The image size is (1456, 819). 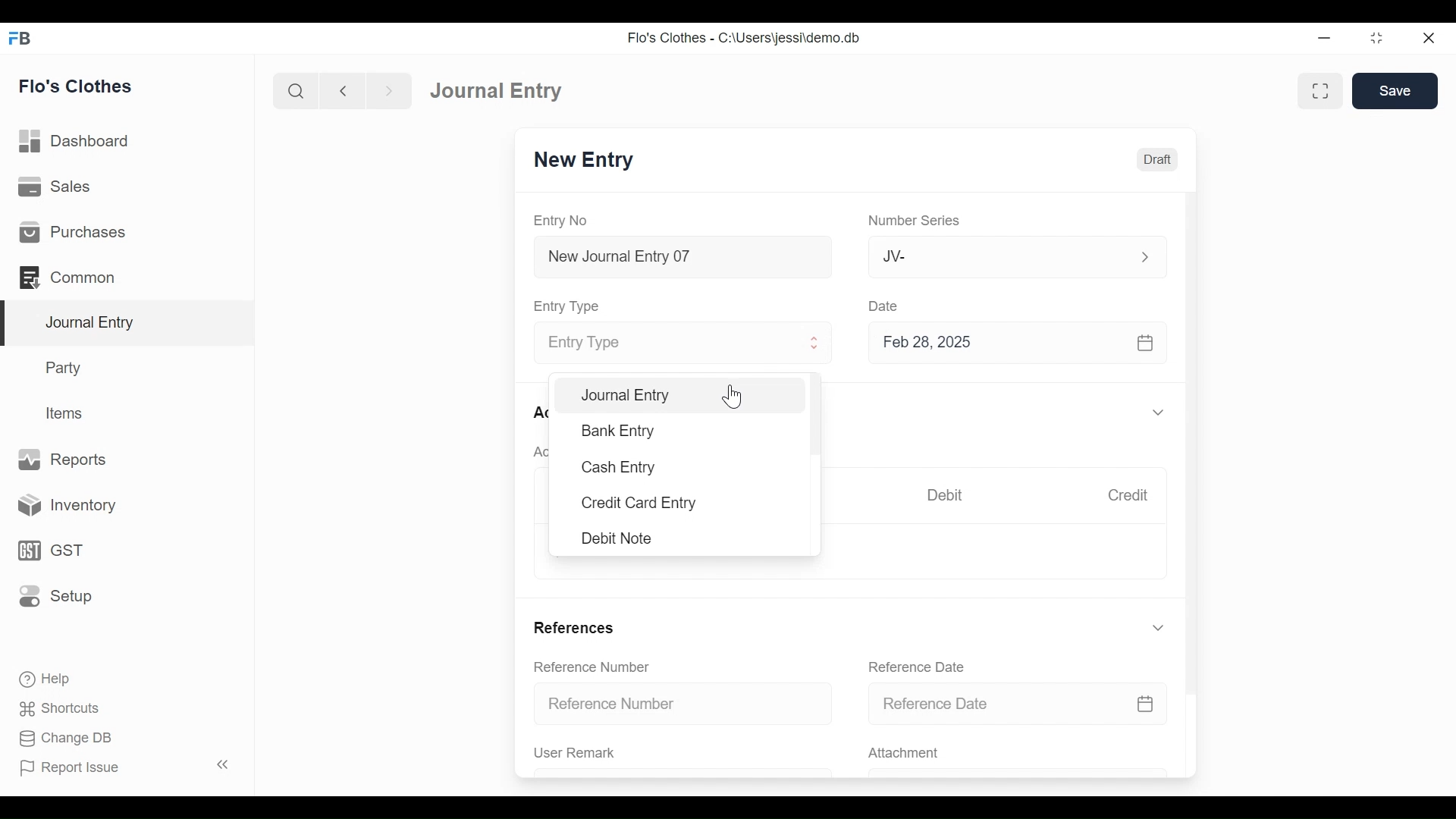 I want to click on Shortcuts, so click(x=68, y=706).